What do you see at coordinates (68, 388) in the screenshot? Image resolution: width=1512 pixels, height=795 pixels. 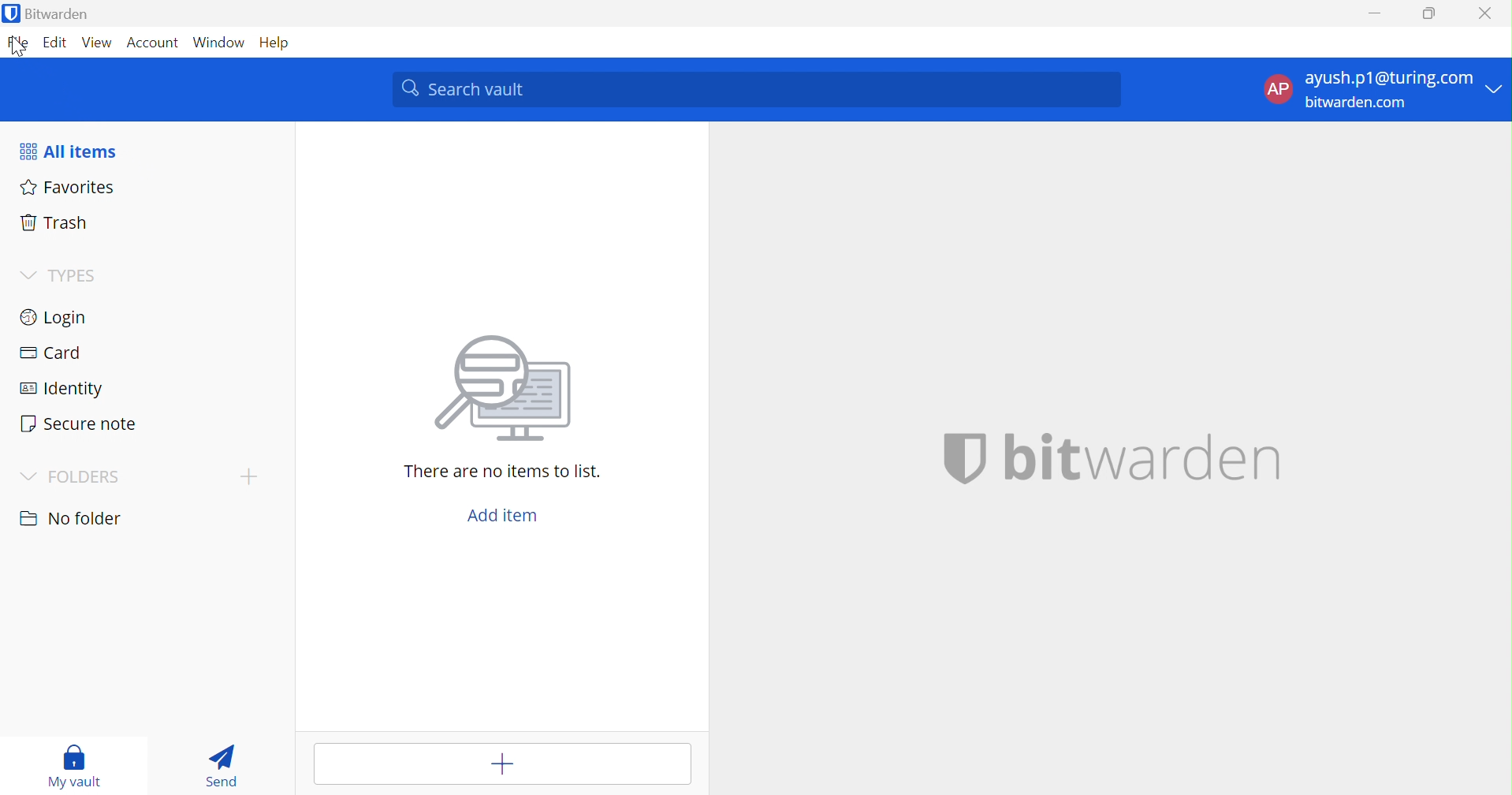 I see `Identity` at bounding box center [68, 388].